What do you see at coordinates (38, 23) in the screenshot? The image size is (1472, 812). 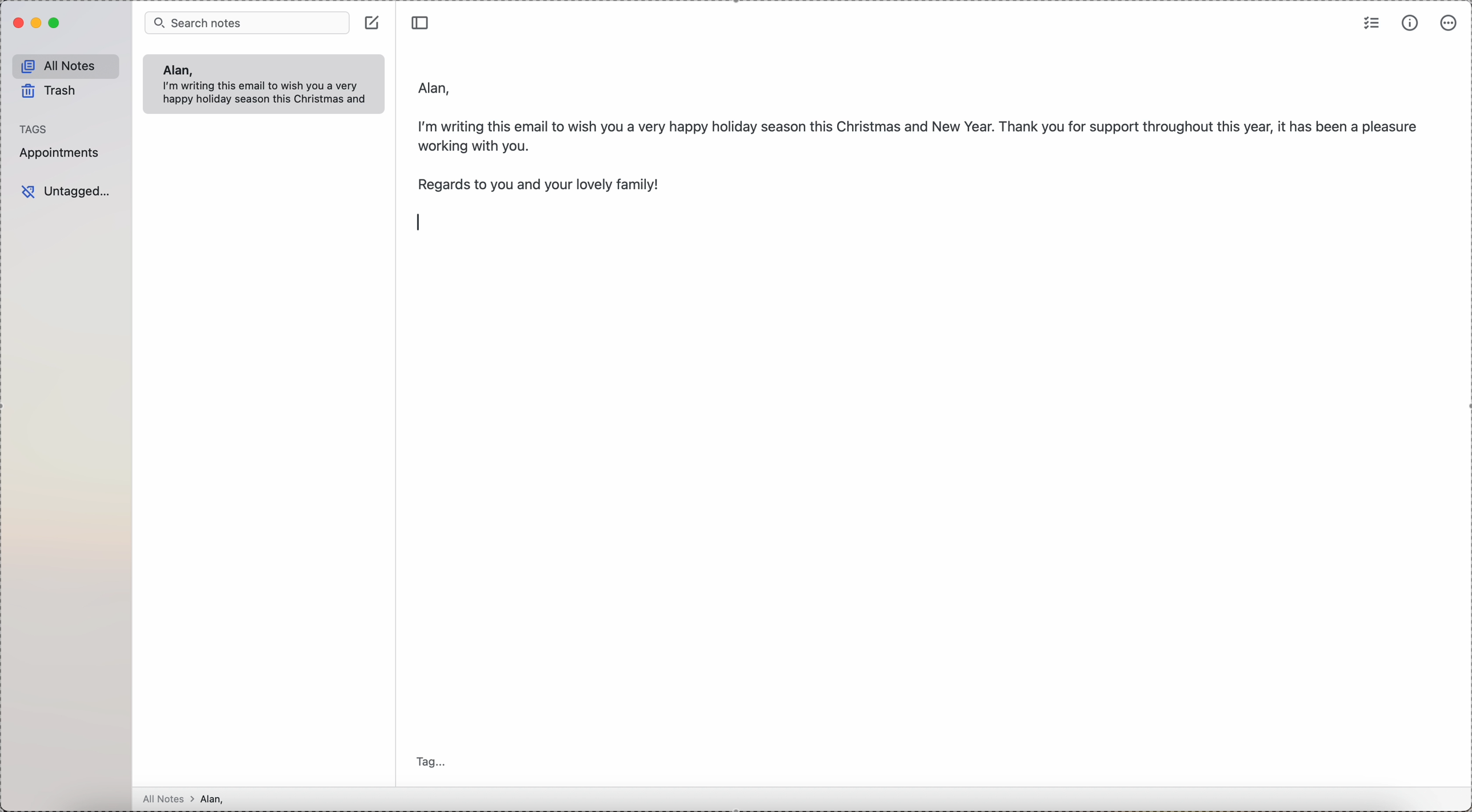 I see `minimize Simplenote` at bounding box center [38, 23].